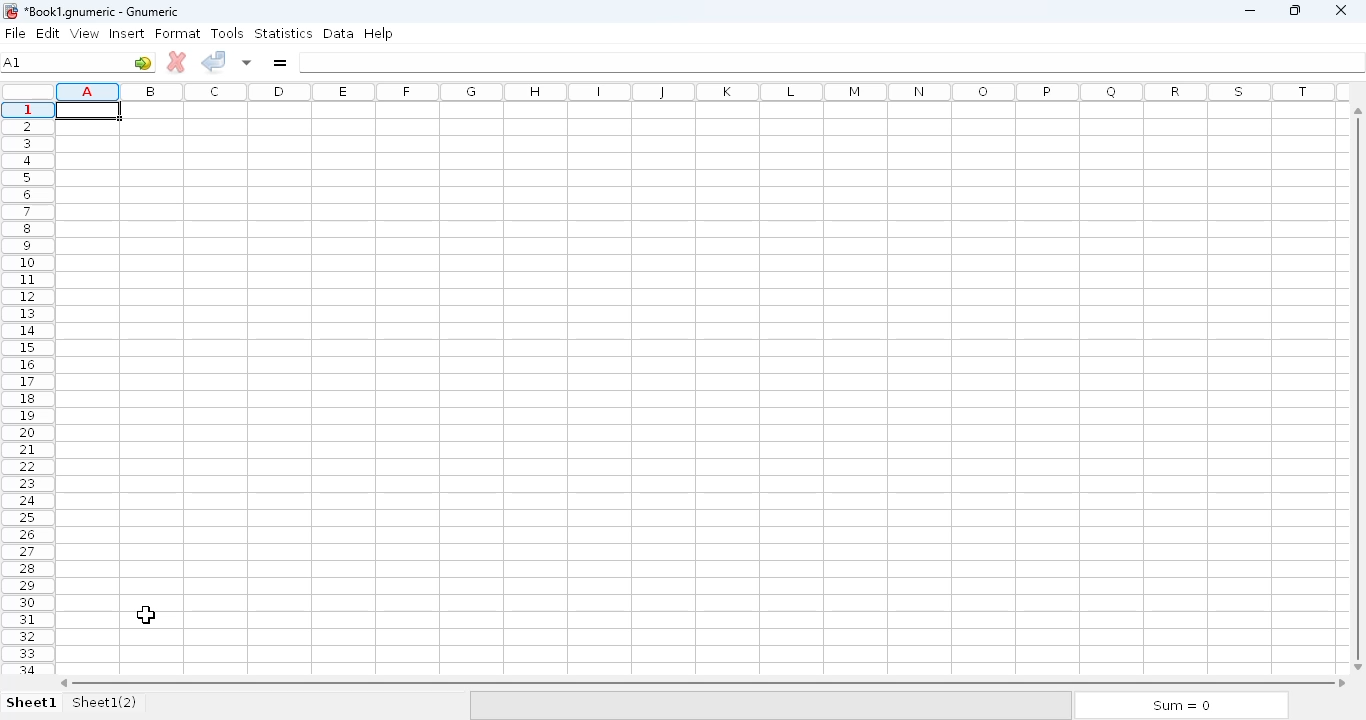 The height and width of the screenshot is (720, 1366). What do you see at coordinates (696, 391) in the screenshot?
I see `Cells` at bounding box center [696, 391].